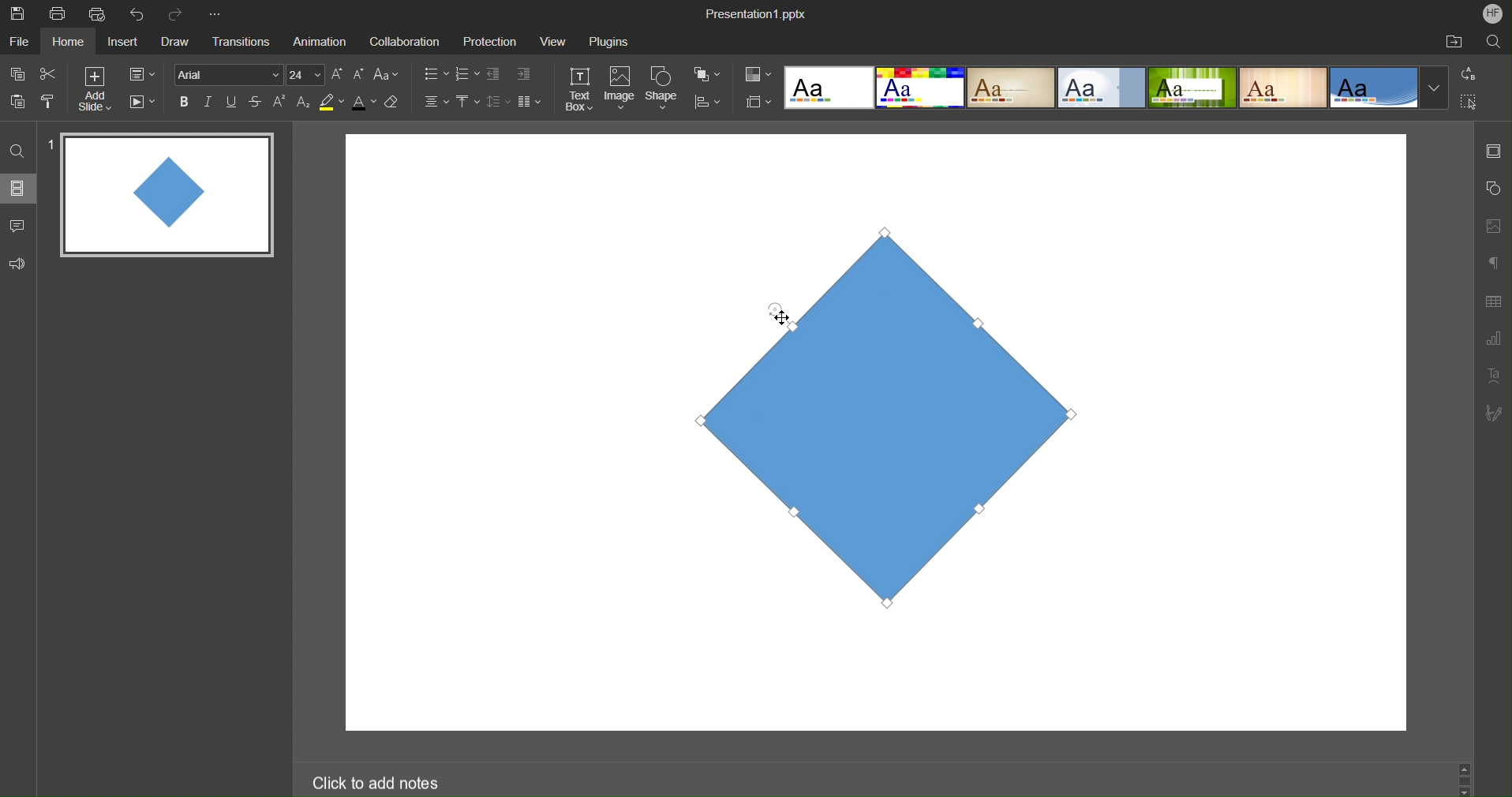 The width and height of the screenshot is (1512, 797). What do you see at coordinates (432, 75) in the screenshot?
I see `Bullet List` at bounding box center [432, 75].